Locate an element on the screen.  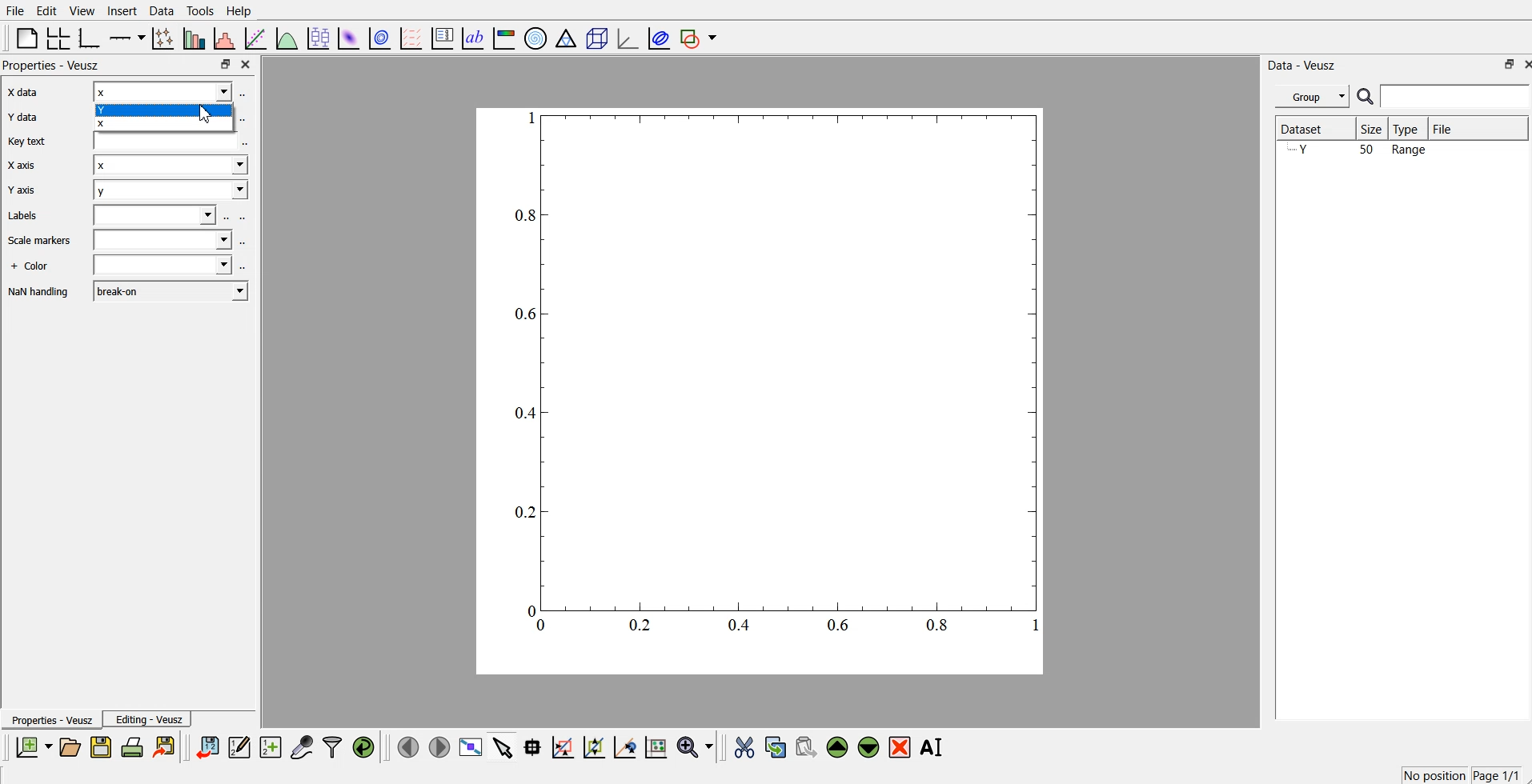
export document is located at coordinates (165, 748).